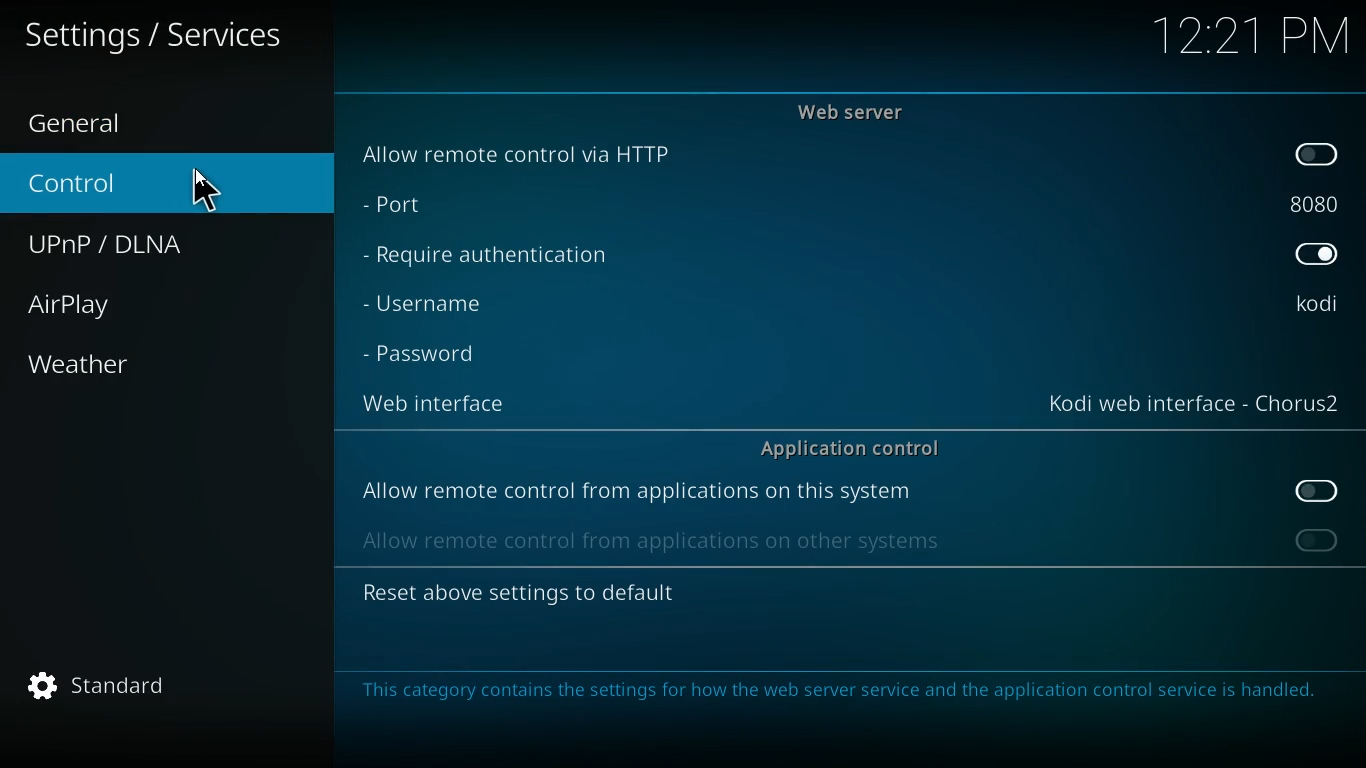 This screenshot has height=768, width=1366. What do you see at coordinates (1192, 402) in the screenshot?
I see `web interface` at bounding box center [1192, 402].